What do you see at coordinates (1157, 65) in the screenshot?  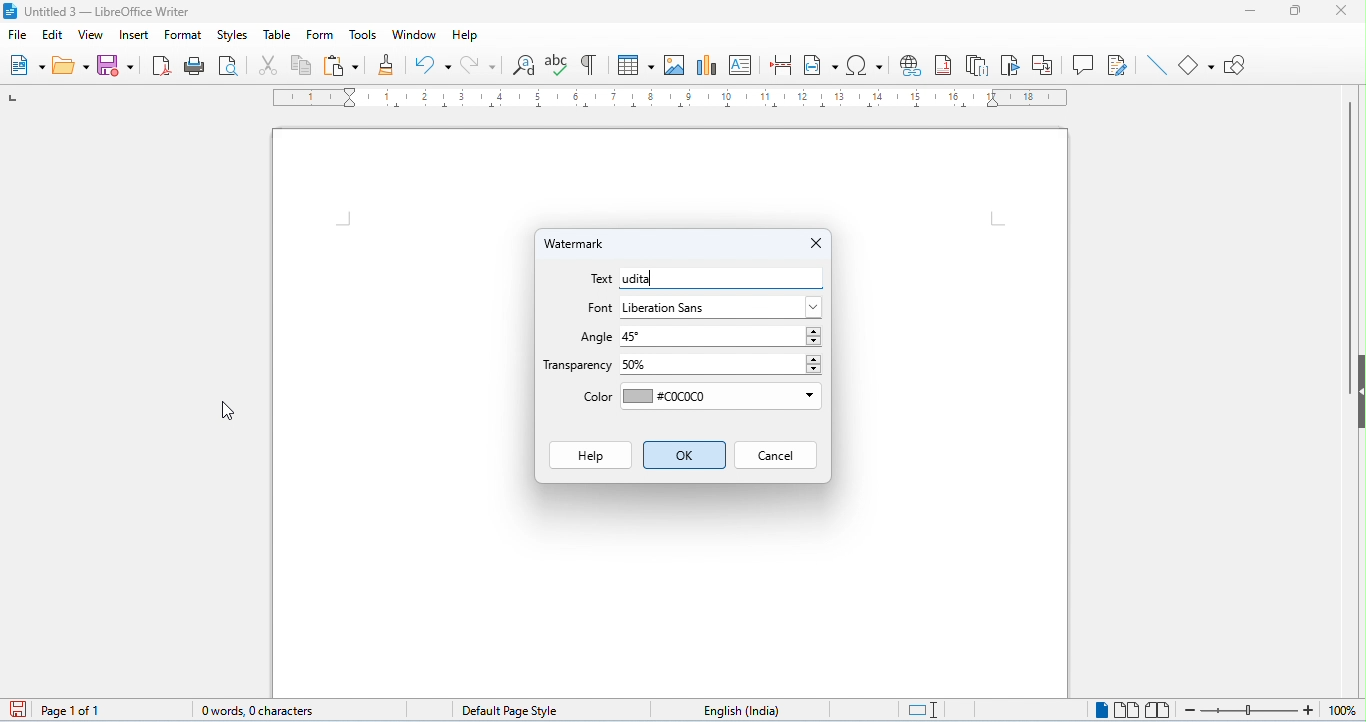 I see `line` at bounding box center [1157, 65].